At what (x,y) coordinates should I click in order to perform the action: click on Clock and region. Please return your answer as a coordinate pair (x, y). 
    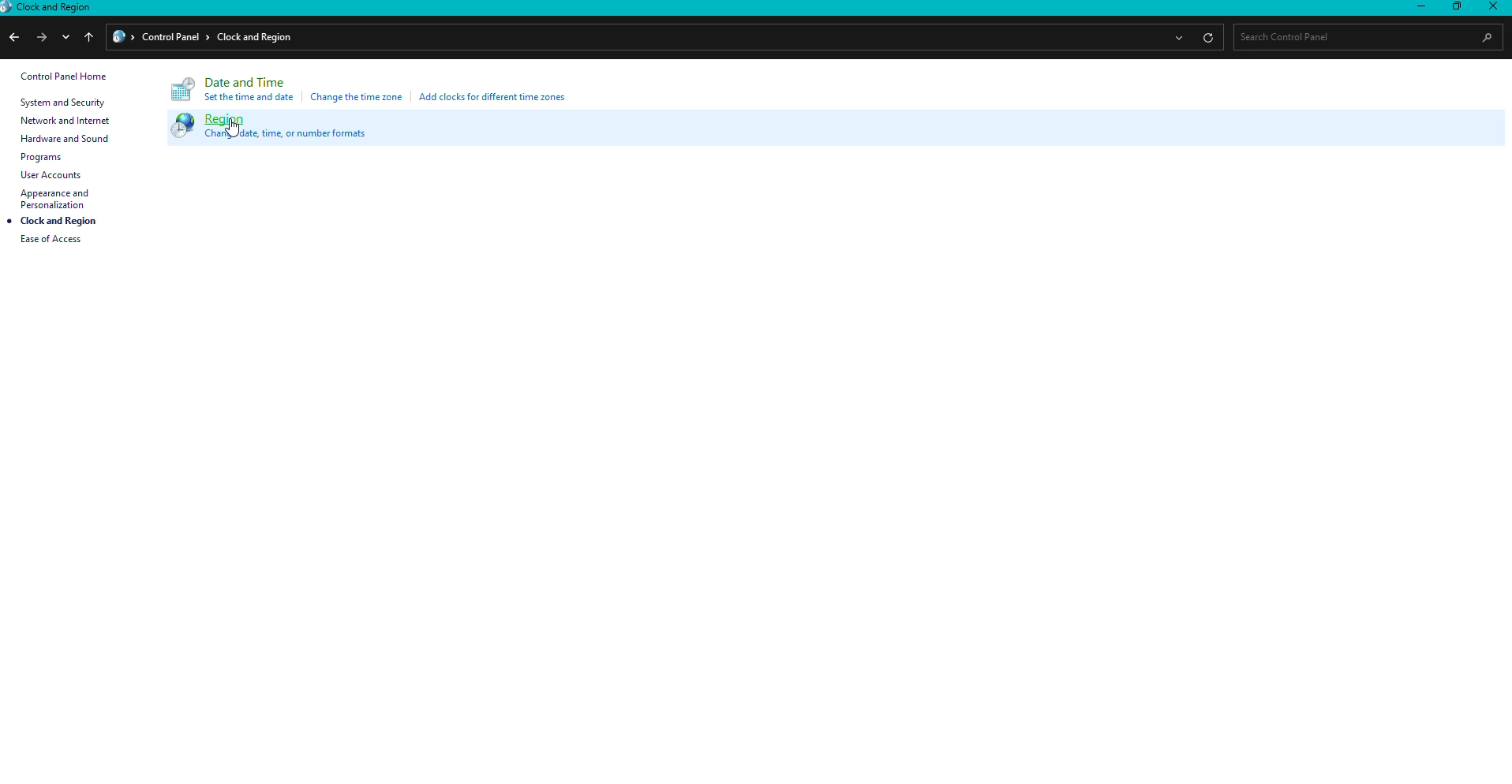
    Looking at the image, I should click on (60, 222).